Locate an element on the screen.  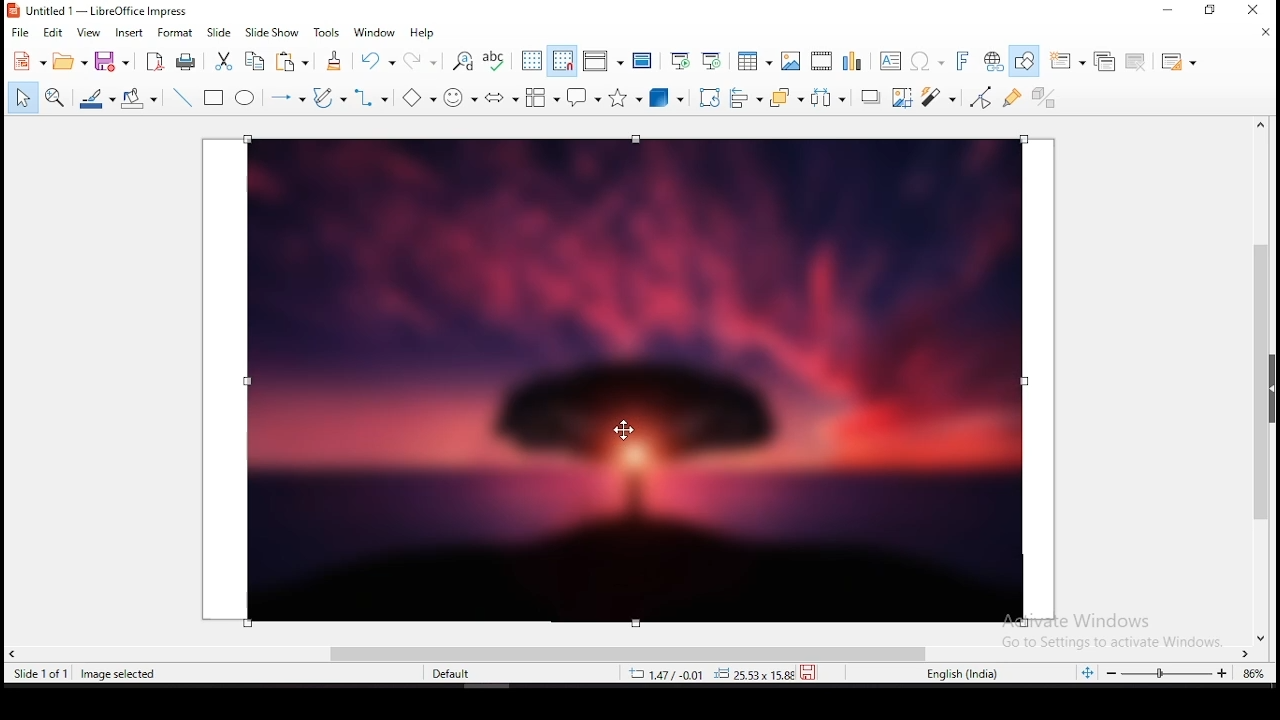
default is located at coordinates (457, 677).